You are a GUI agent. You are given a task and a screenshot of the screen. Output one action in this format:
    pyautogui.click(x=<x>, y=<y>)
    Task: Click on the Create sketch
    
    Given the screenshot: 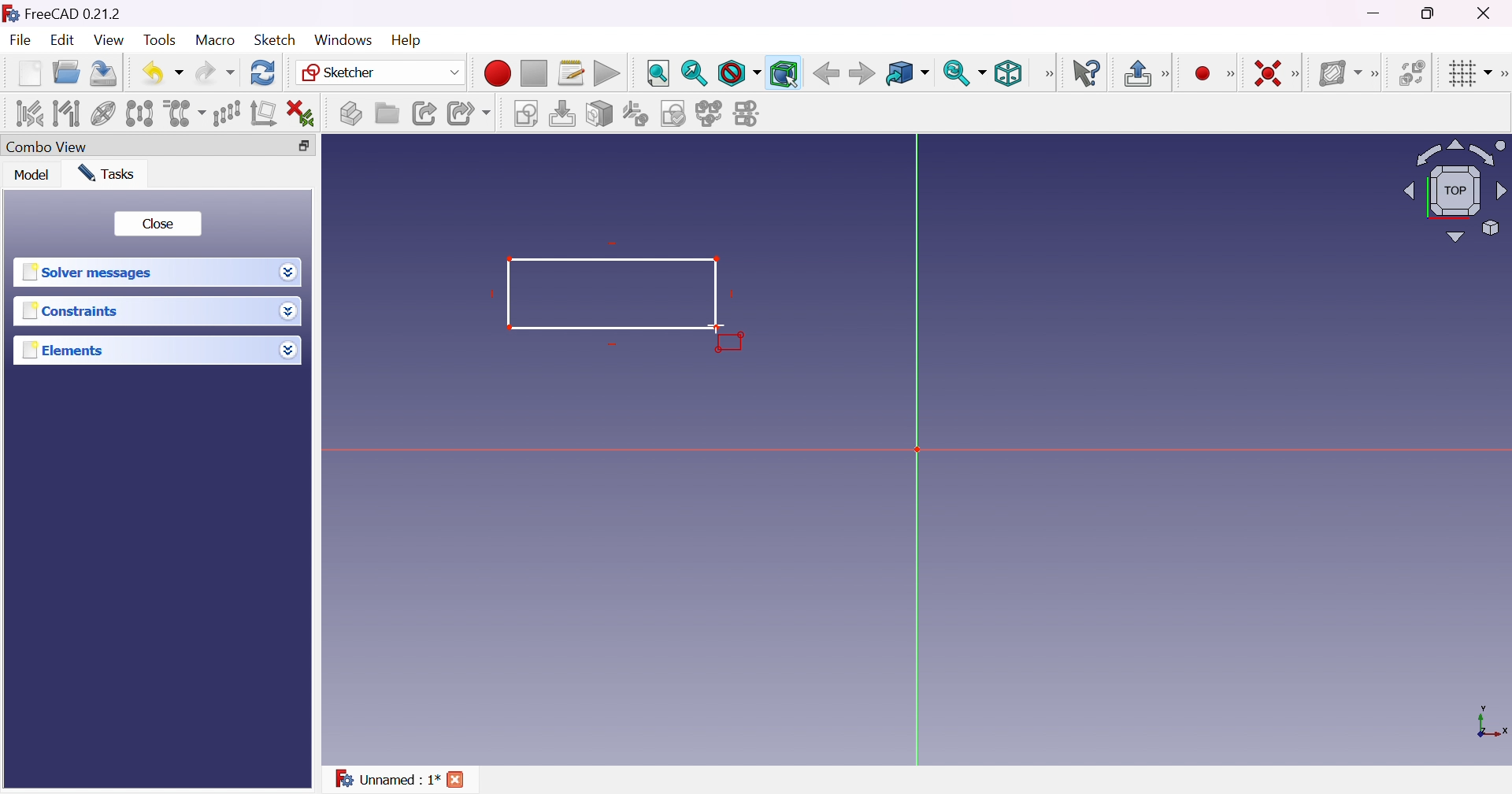 What is the action you would take?
    pyautogui.click(x=524, y=113)
    